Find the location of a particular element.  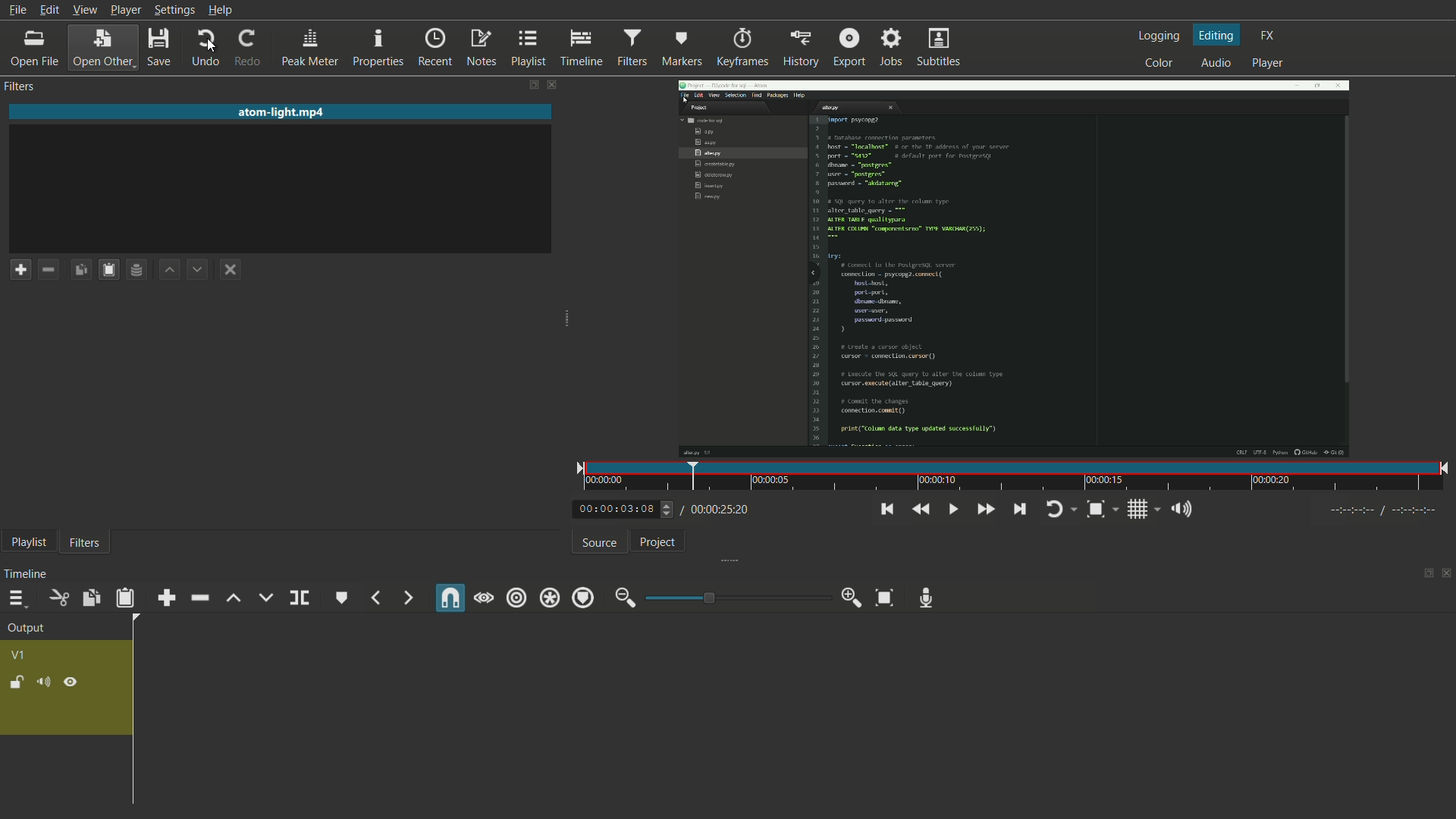

color is located at coordinates (1157, 59).